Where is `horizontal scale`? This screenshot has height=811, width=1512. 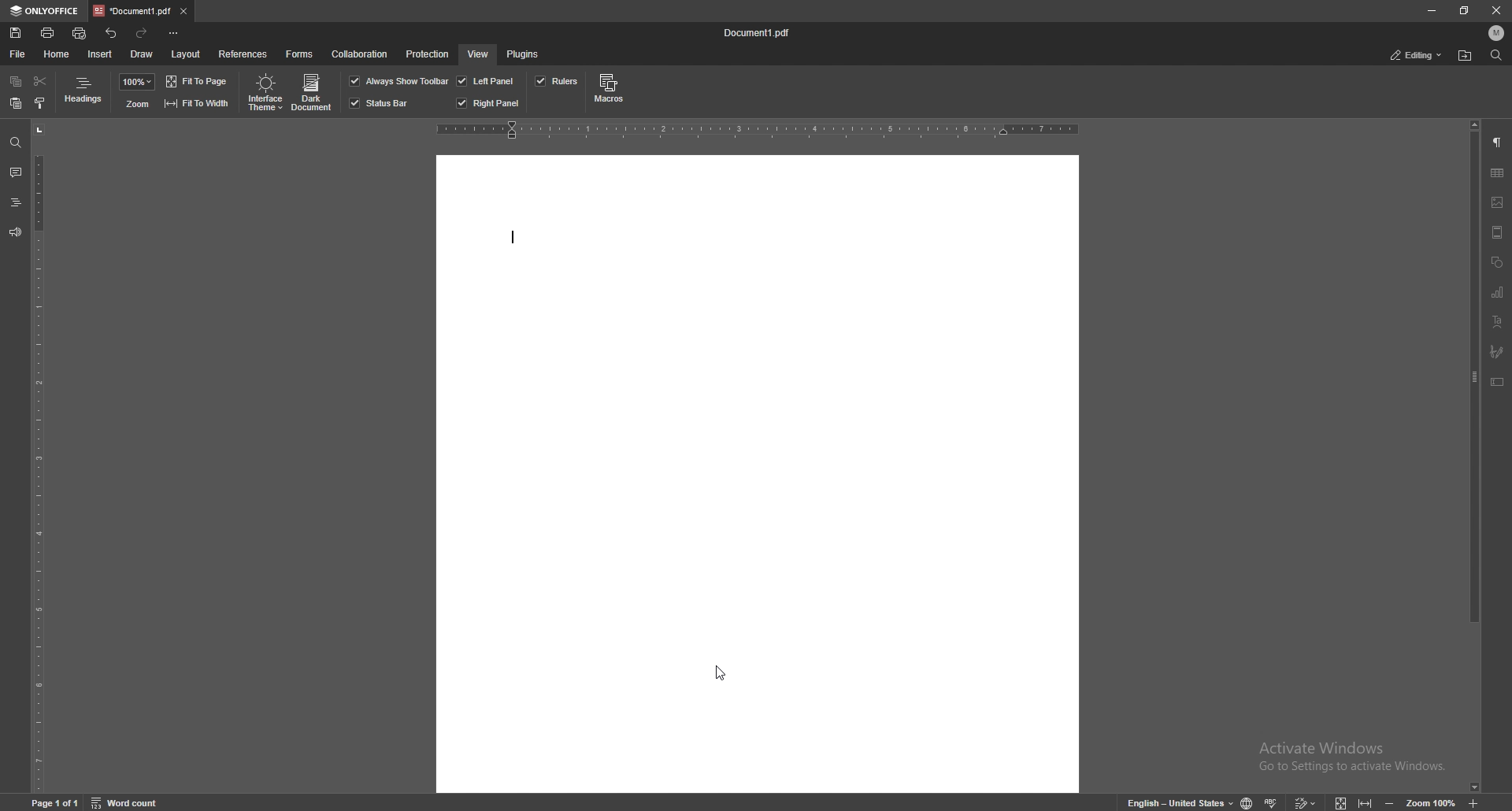 horizontal scale is located at coordinates (758, 130).